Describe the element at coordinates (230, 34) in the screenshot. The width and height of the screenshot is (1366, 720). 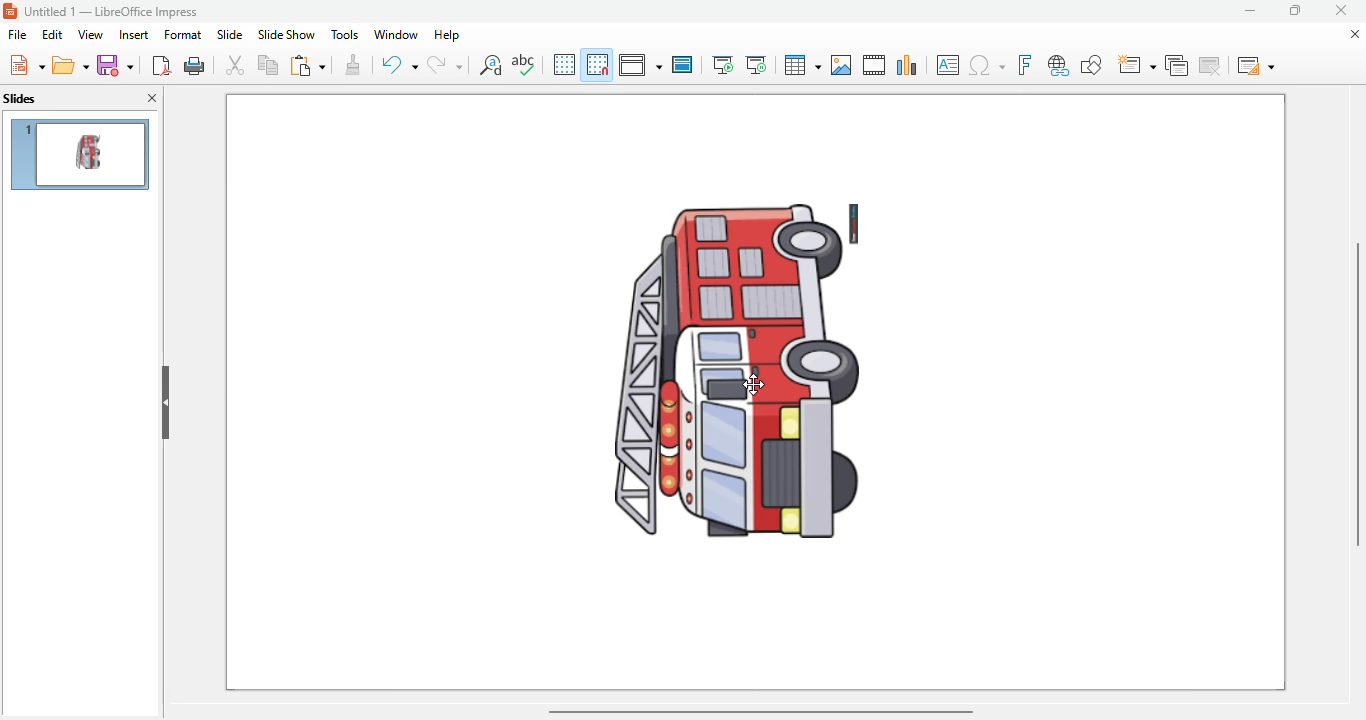
I see `slide` at that location.